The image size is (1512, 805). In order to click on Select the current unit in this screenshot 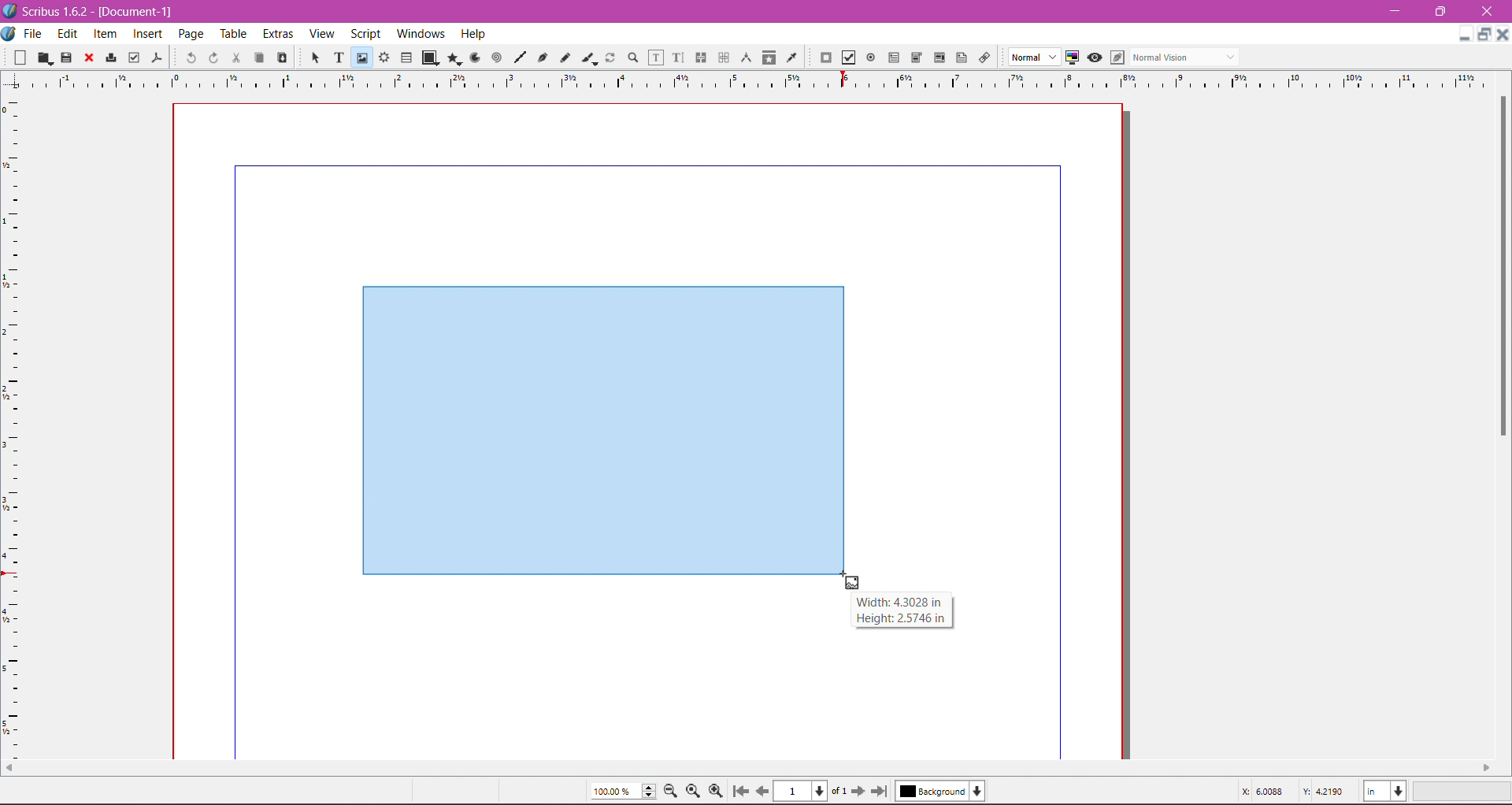, I will do `click(1385, 792)`.